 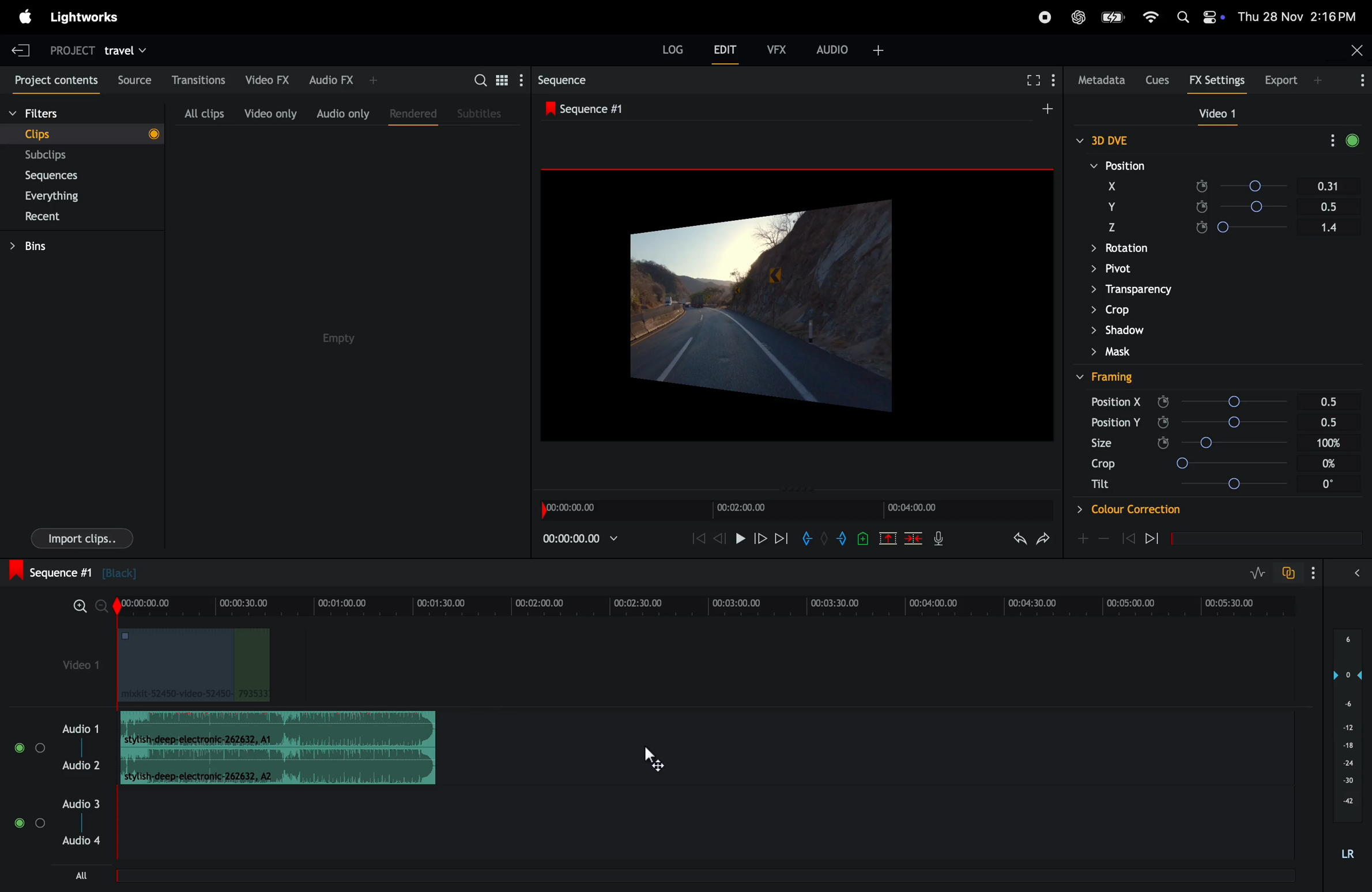 What do you see at coordinates (1115, 401) in the screenshot?
I see `` at bounding box center [1115, 401].